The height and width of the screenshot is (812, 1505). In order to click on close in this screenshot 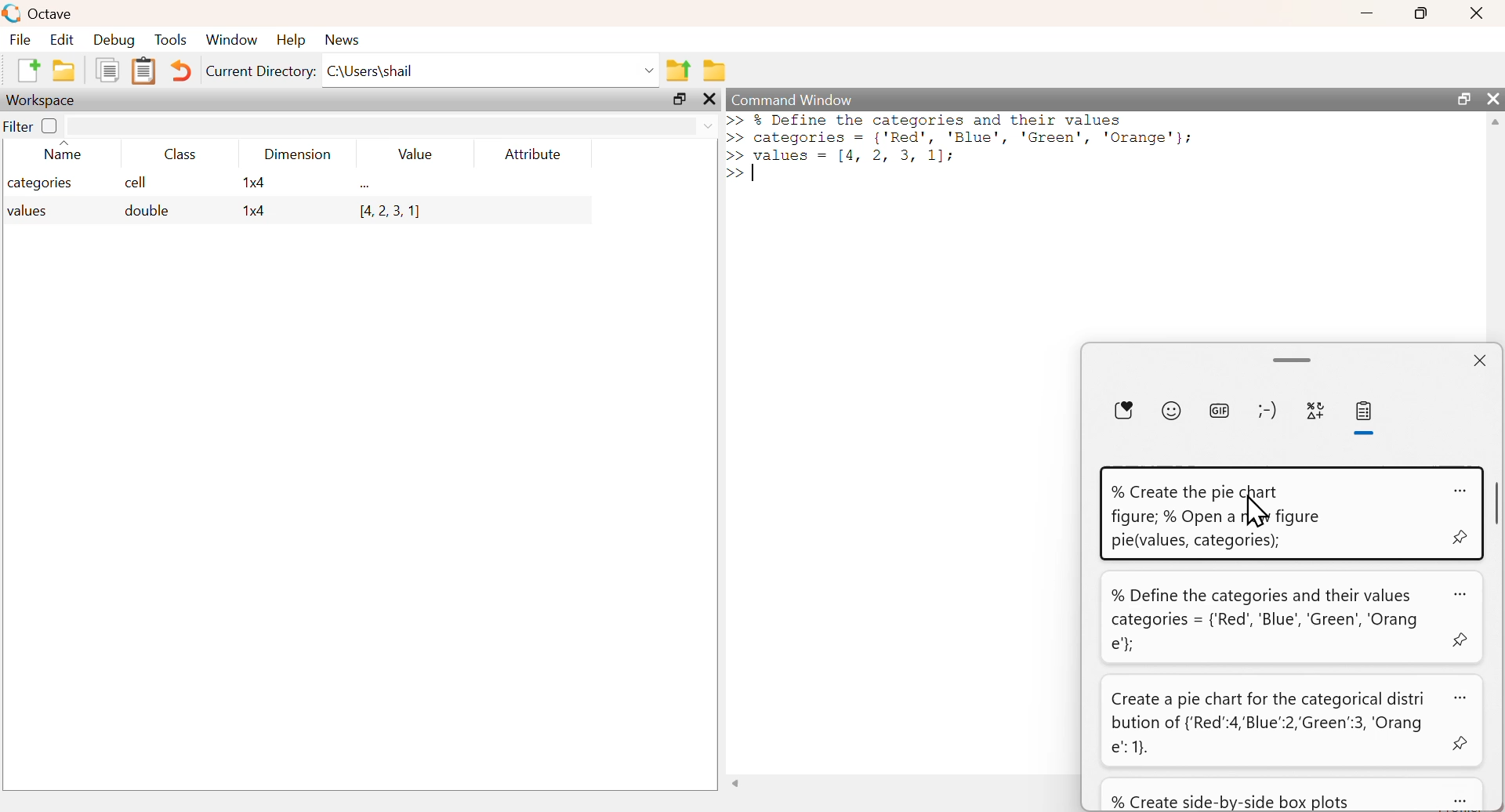, I will do `click(1483, 360)`.